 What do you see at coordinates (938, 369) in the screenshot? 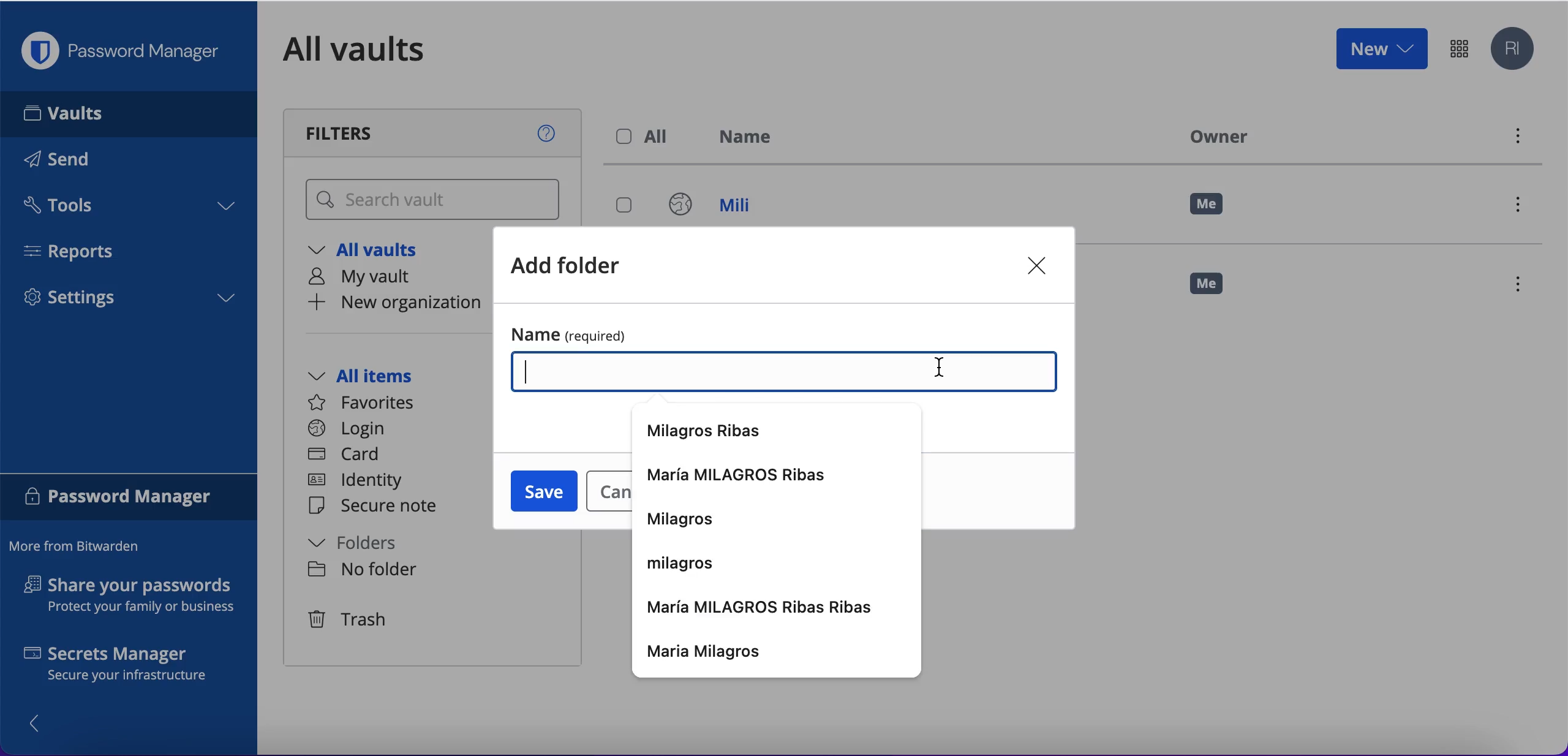
I see `cursor` at bounding box center [938, 369].